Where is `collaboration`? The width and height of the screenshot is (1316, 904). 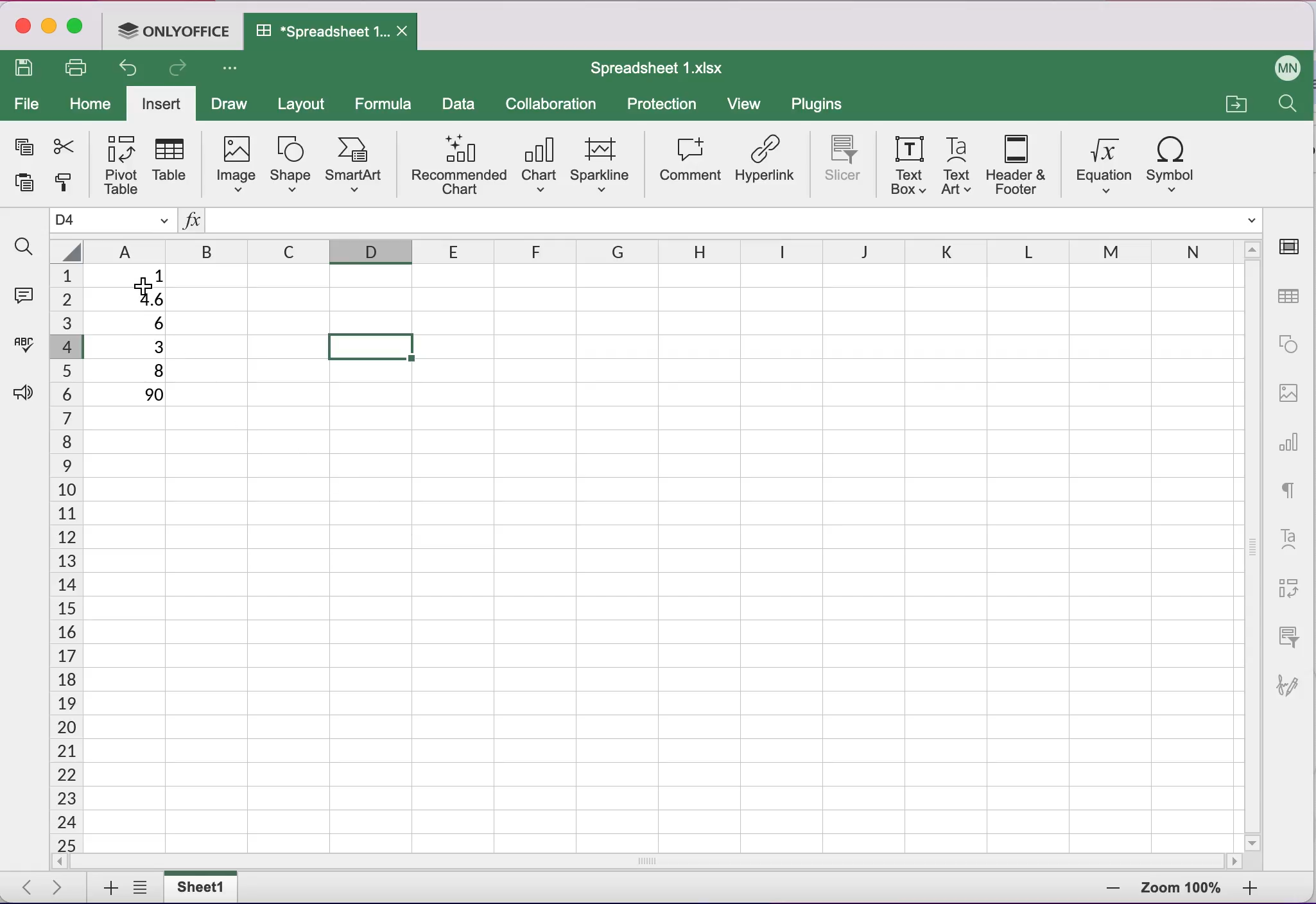 collaboration is located at coordinates (553, 103).